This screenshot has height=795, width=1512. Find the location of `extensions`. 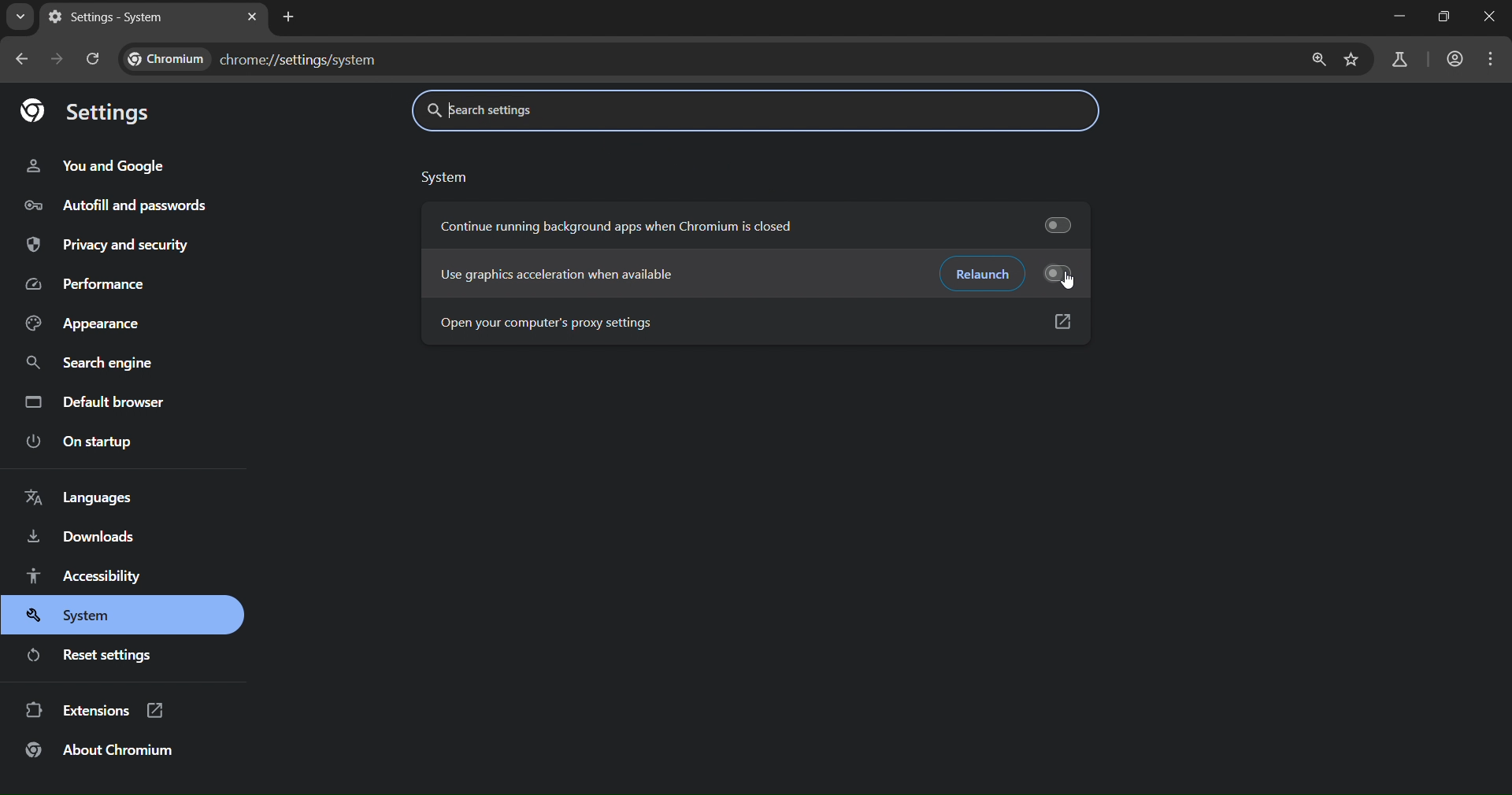

extensions is located at coordinates (95, 708).